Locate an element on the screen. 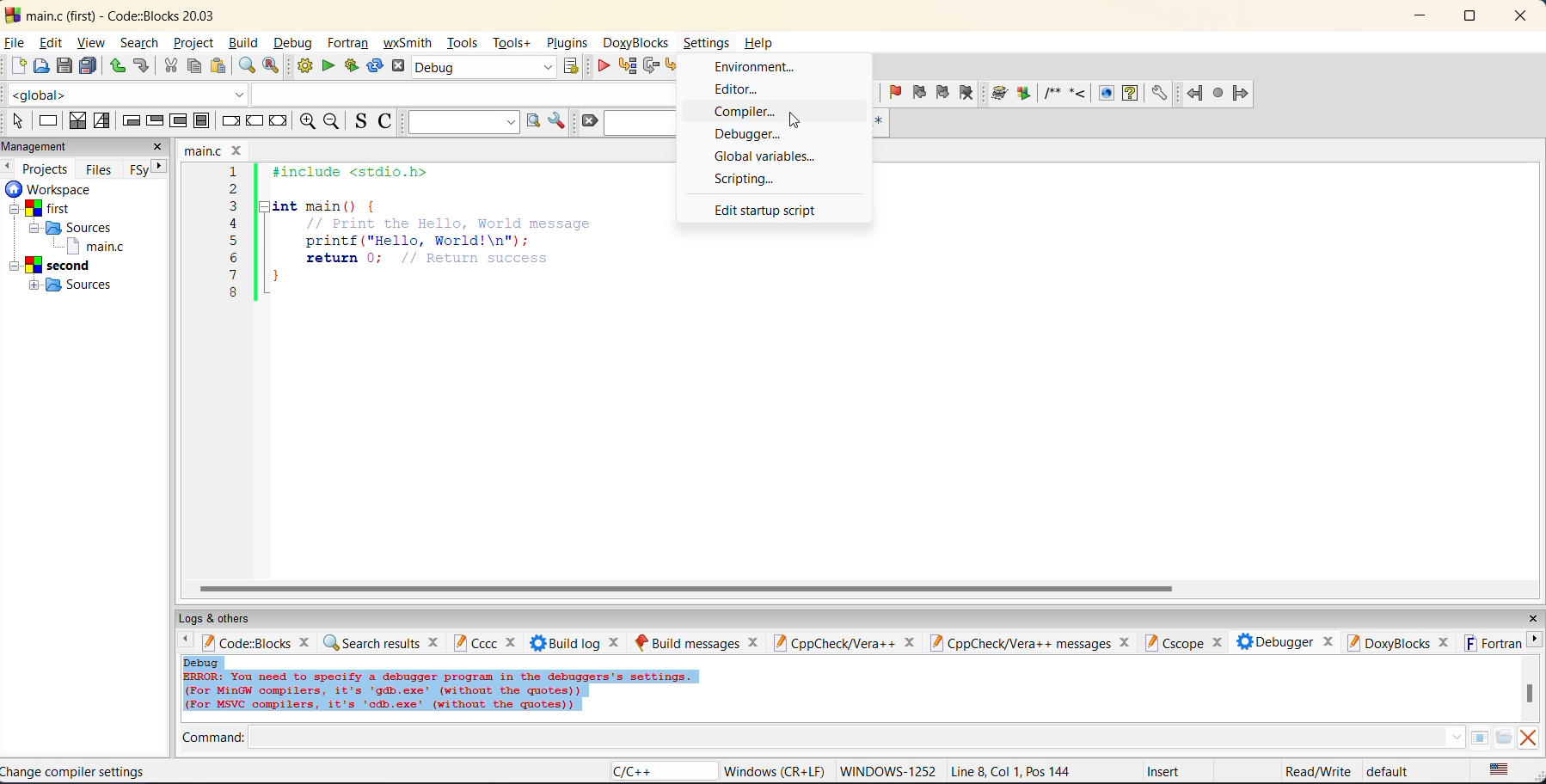  build messages is located at coordinates (700, 641).